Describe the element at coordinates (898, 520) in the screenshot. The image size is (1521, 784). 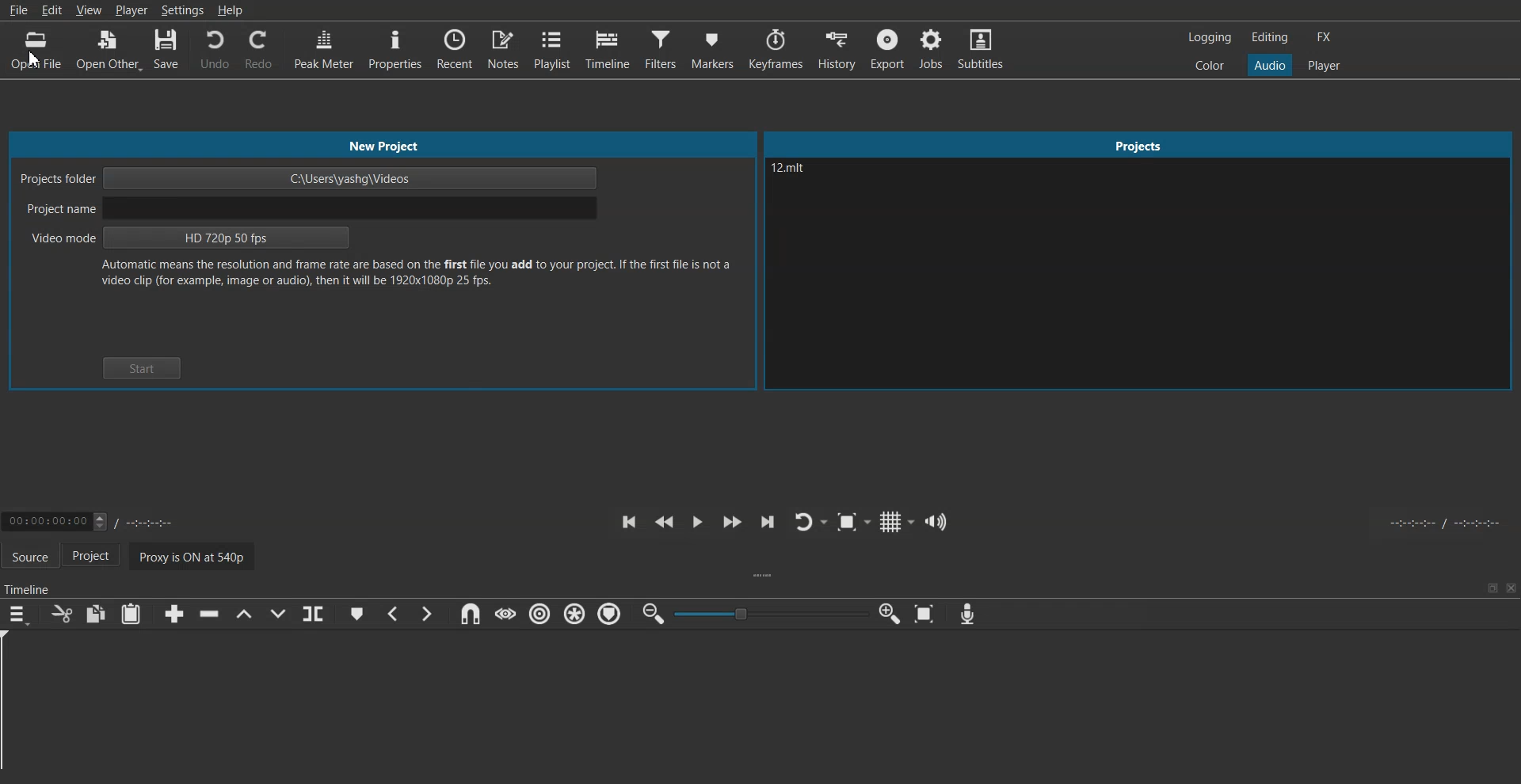
I see `Toggle grid display on the player` at that location.